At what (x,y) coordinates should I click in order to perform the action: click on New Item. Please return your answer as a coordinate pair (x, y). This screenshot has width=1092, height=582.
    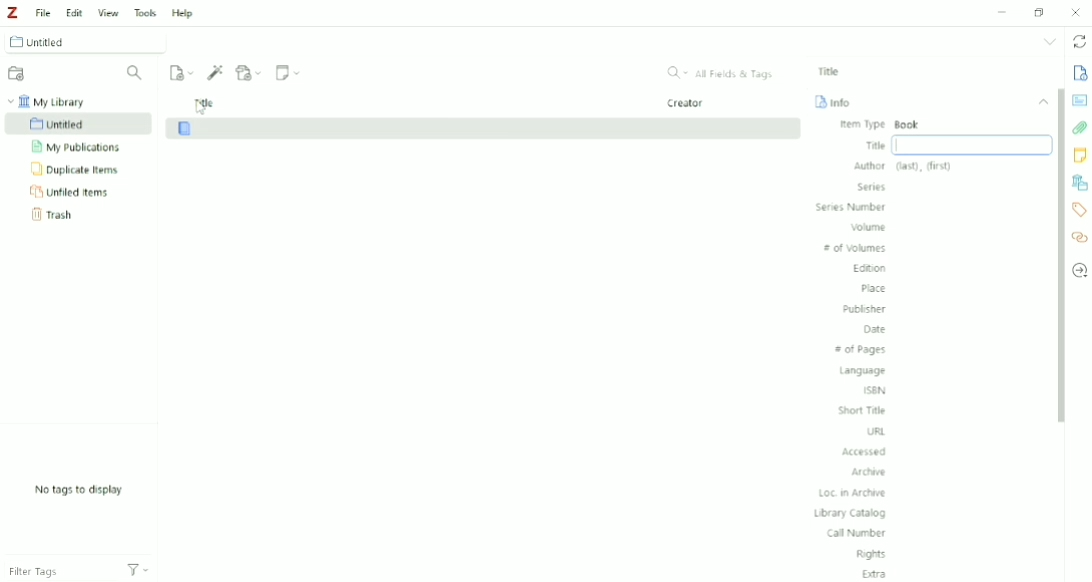
    Looking at the image, I should click on (182, 72).